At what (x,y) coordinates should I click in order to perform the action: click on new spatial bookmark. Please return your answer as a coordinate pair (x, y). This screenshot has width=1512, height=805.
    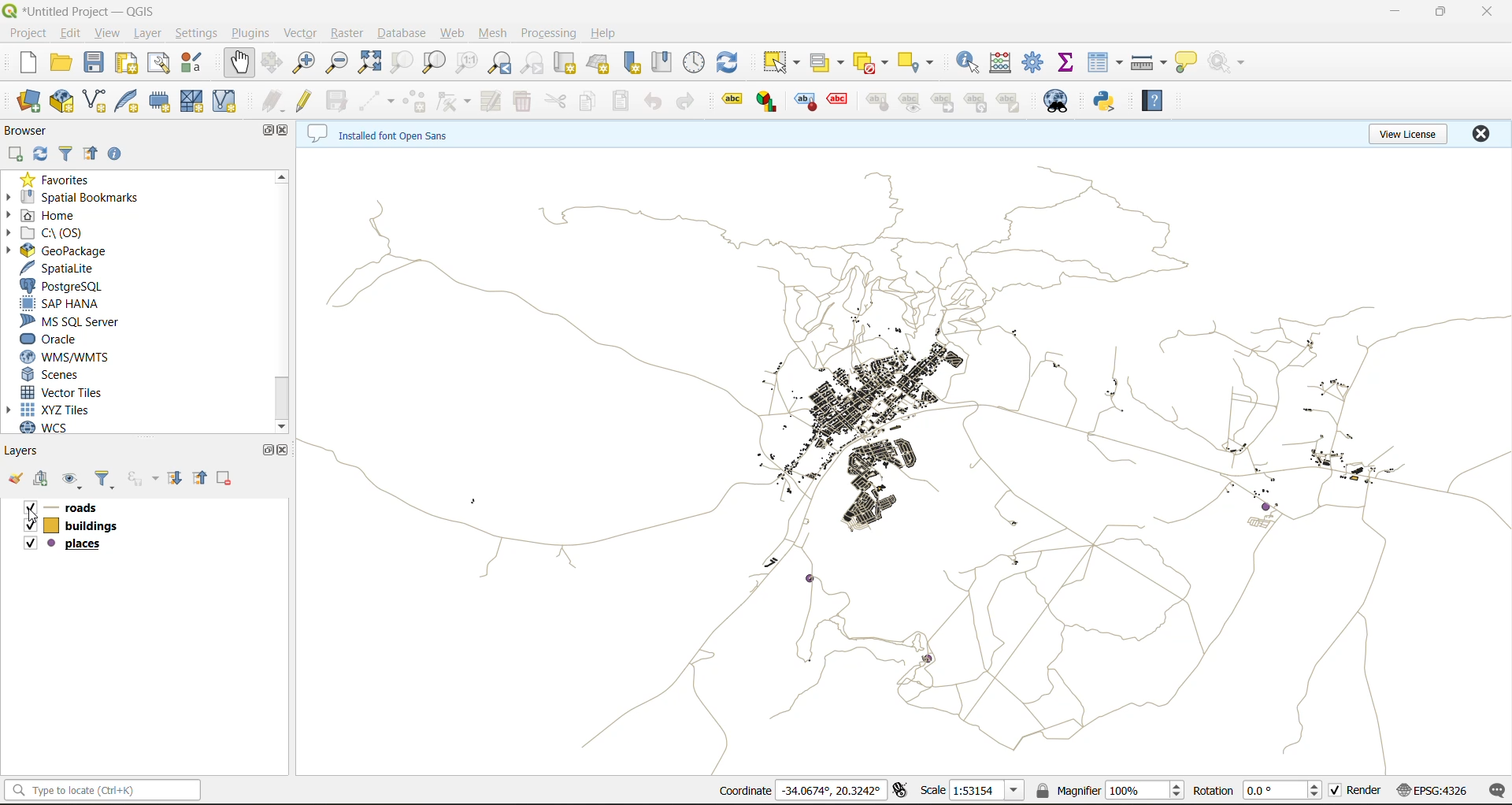
    Looking at the image, I should click on (631, 64).